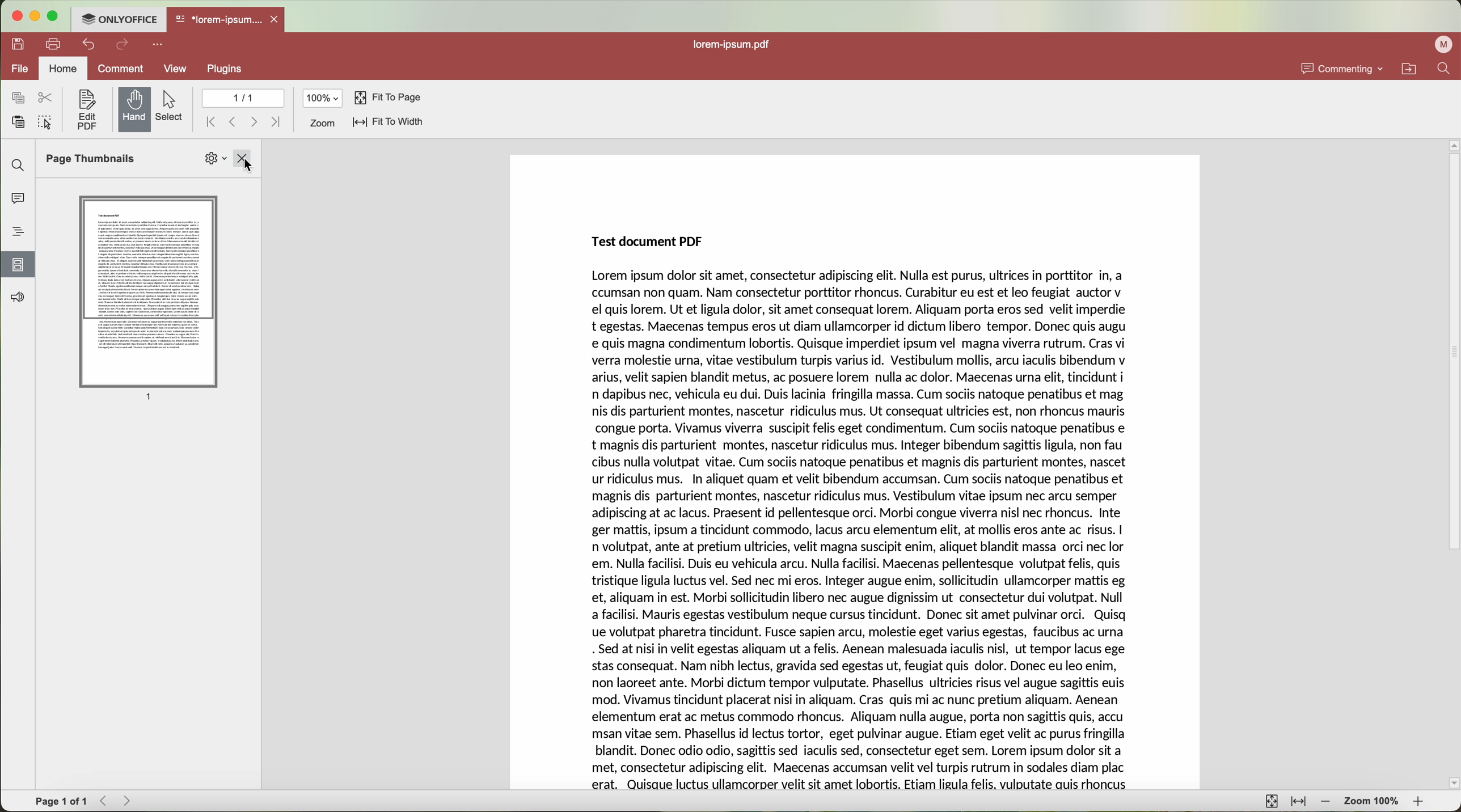 This screenshot has height=812, width=1461. I want to click on fit to page, so click(1272, 801).